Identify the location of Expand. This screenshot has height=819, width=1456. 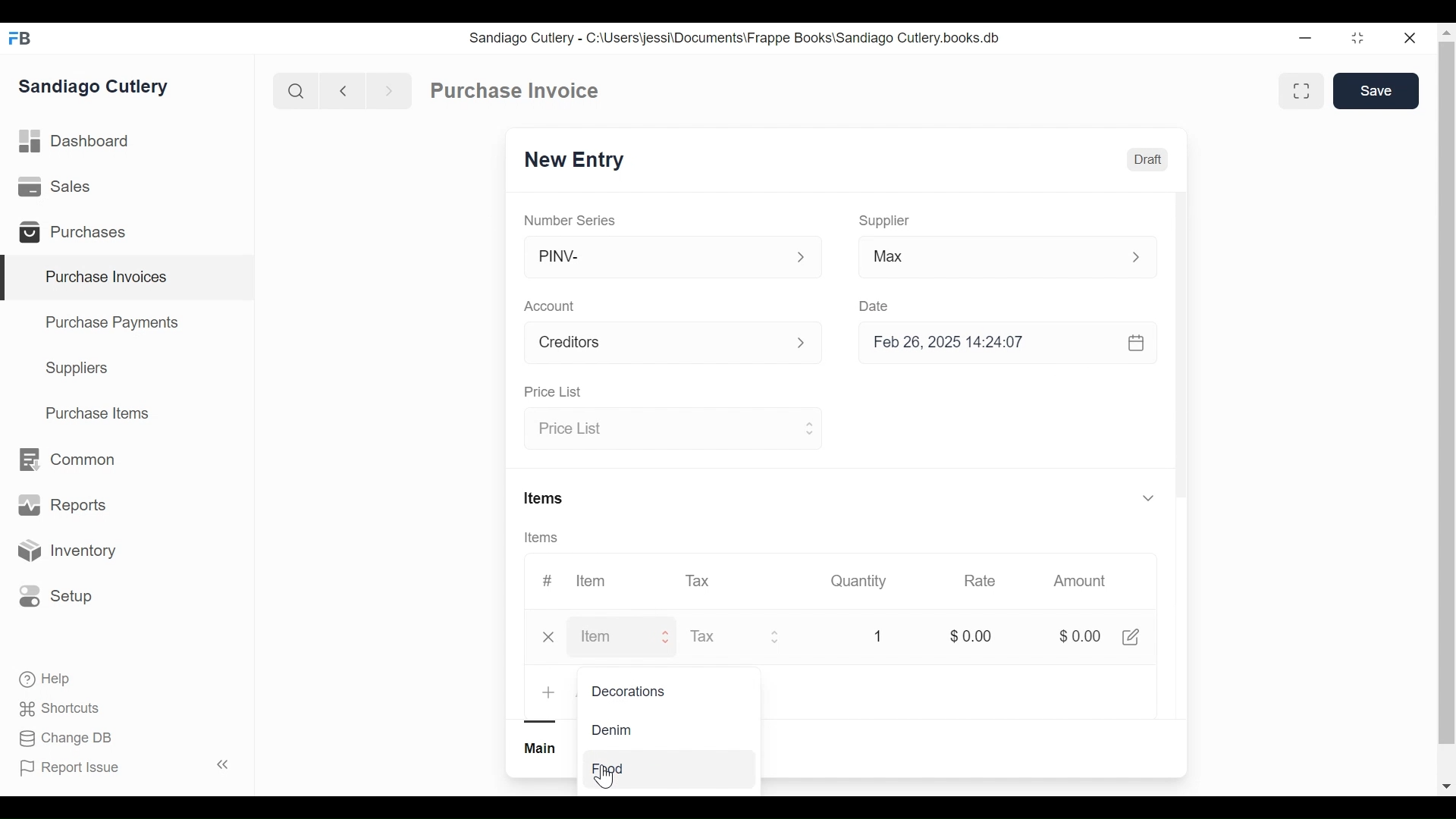
(811, 428).